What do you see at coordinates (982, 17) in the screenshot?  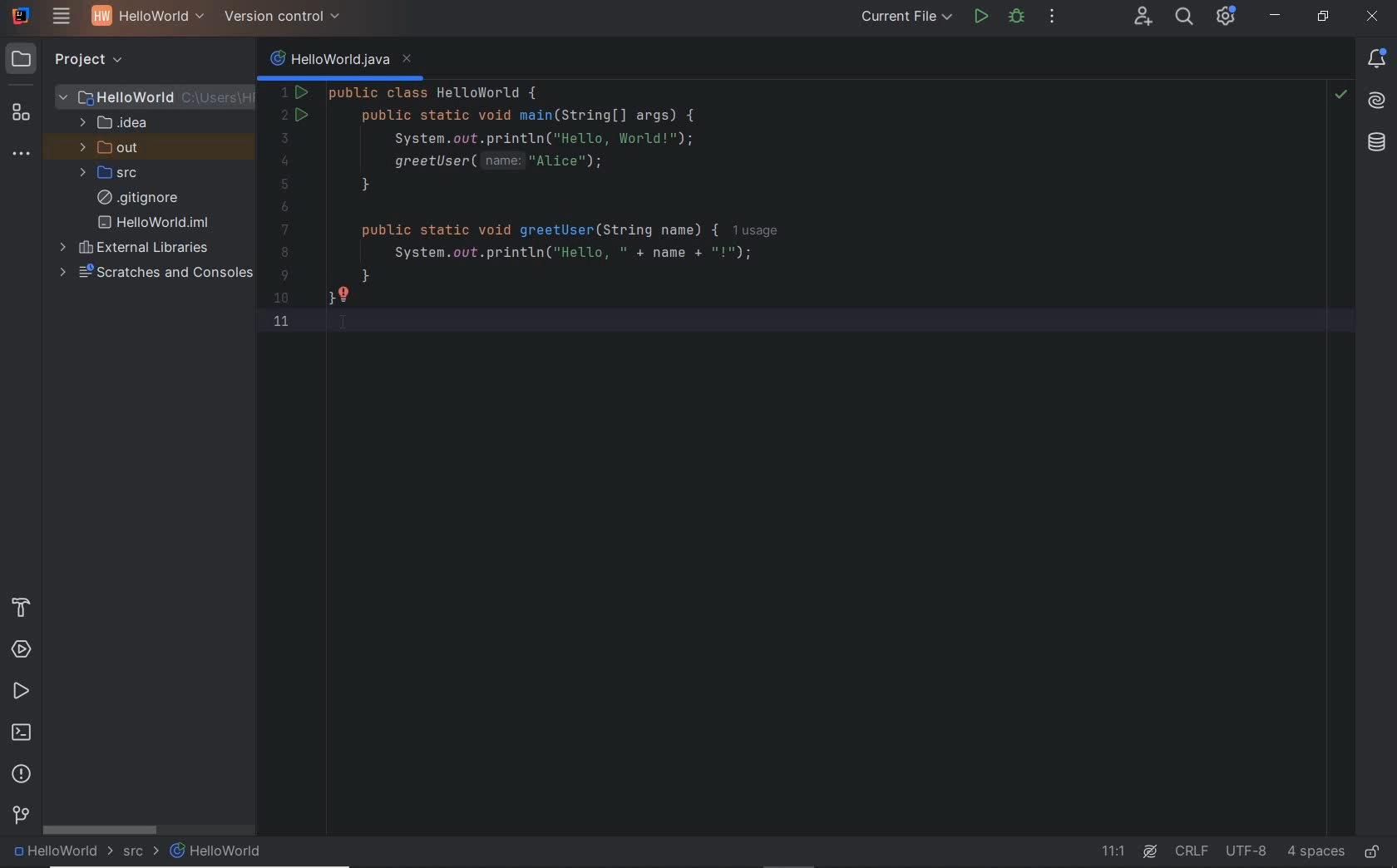 I see `run` at bounding box center [982, 17].